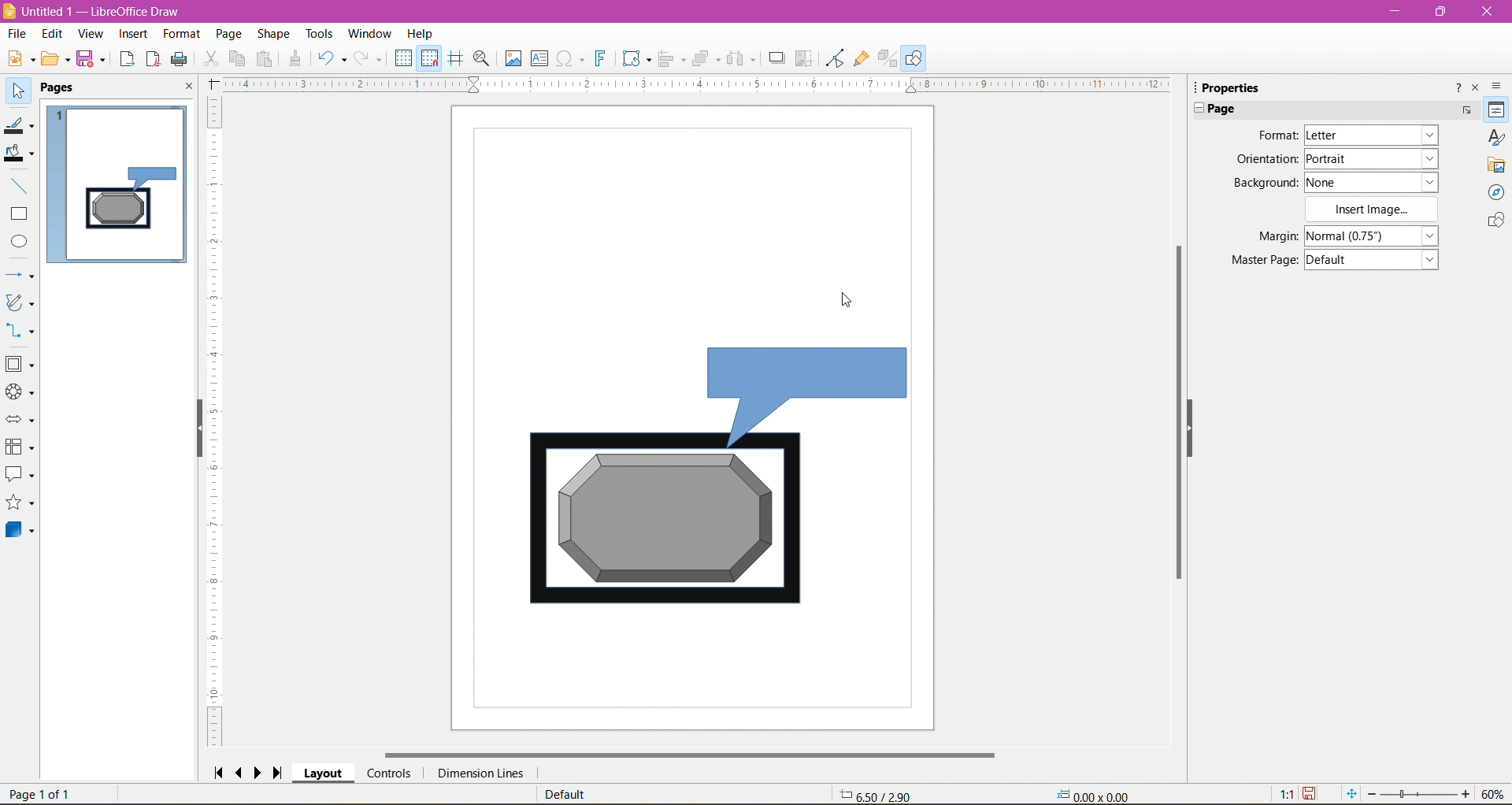 The width and height of the screenshot is (1512, 805). Describe the element at coordinates (1499, 85) in the screenshot. I see `Sidebar settings` at that location.